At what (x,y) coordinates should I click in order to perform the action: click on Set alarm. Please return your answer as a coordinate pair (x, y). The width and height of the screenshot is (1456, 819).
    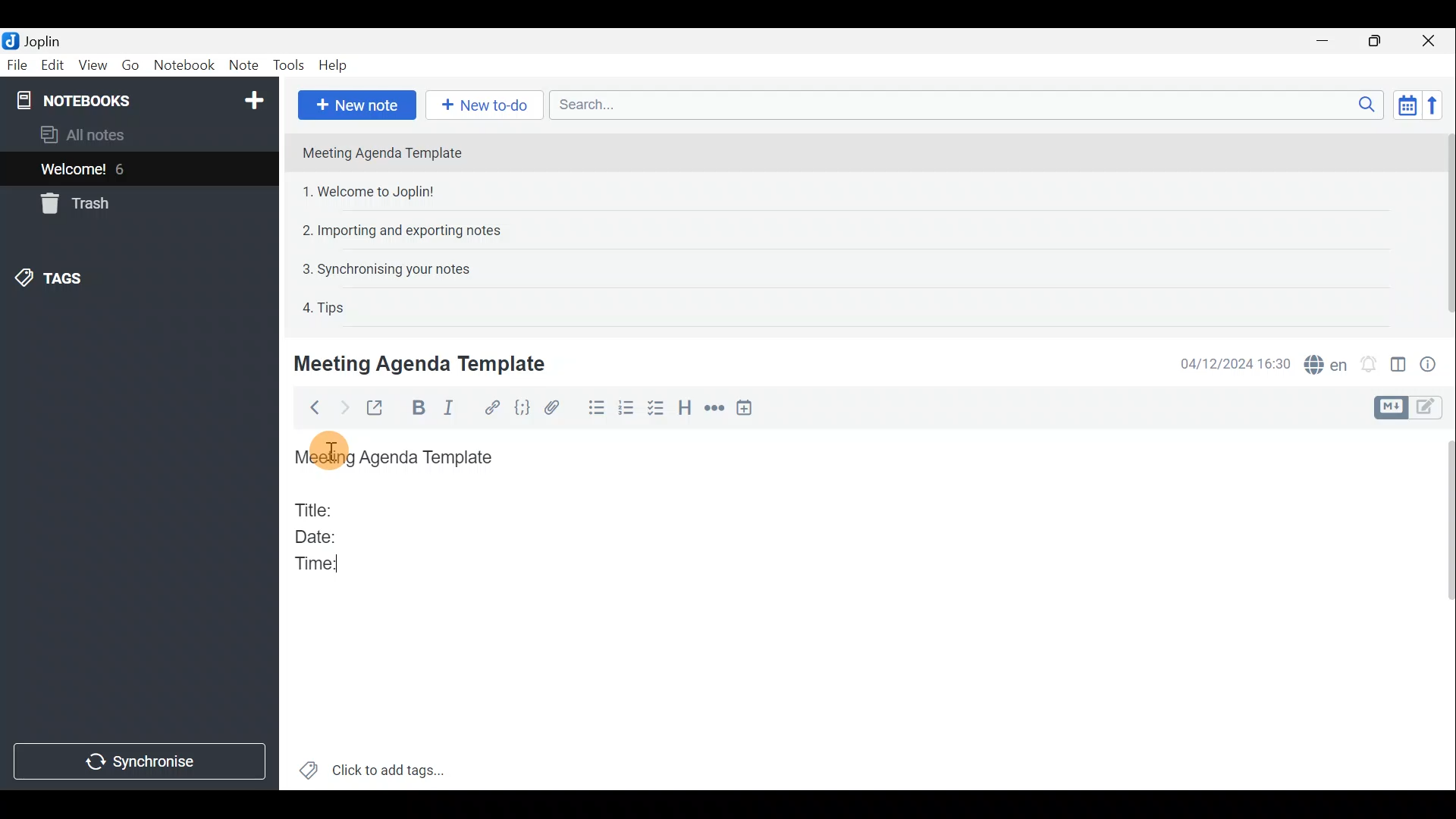
    Looking at the image, I should click on (1370, 364).